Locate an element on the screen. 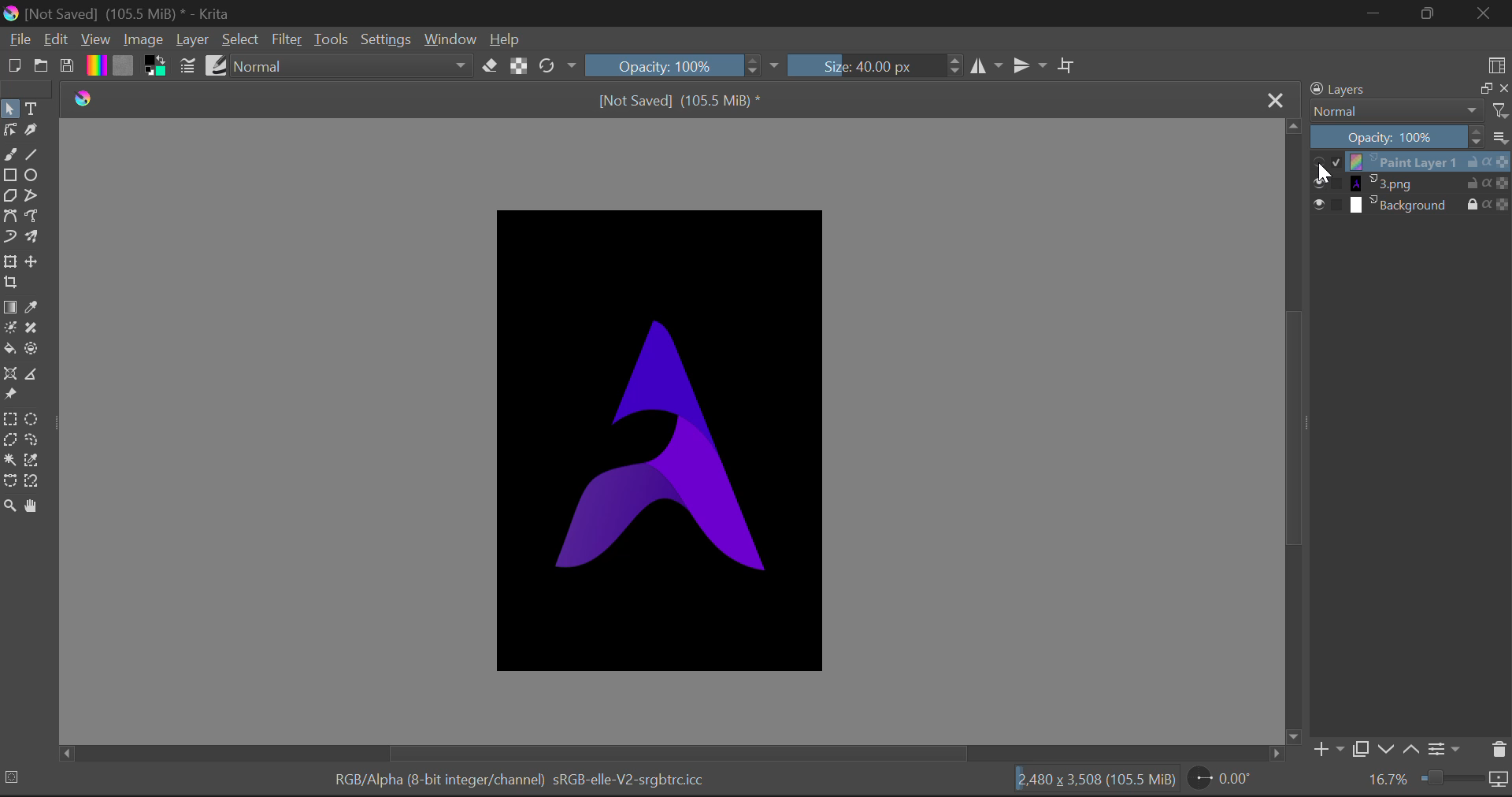  Filter is located at coordinates (290, 39).